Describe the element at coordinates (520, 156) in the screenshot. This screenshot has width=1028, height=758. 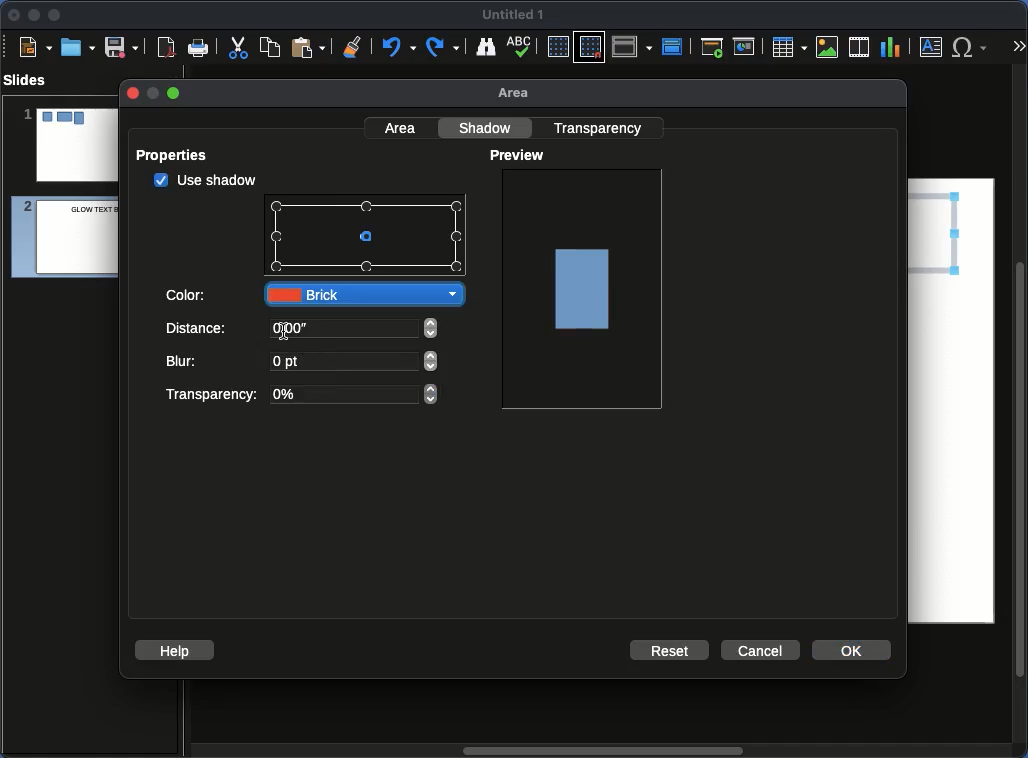
I see `Preview` at that location.